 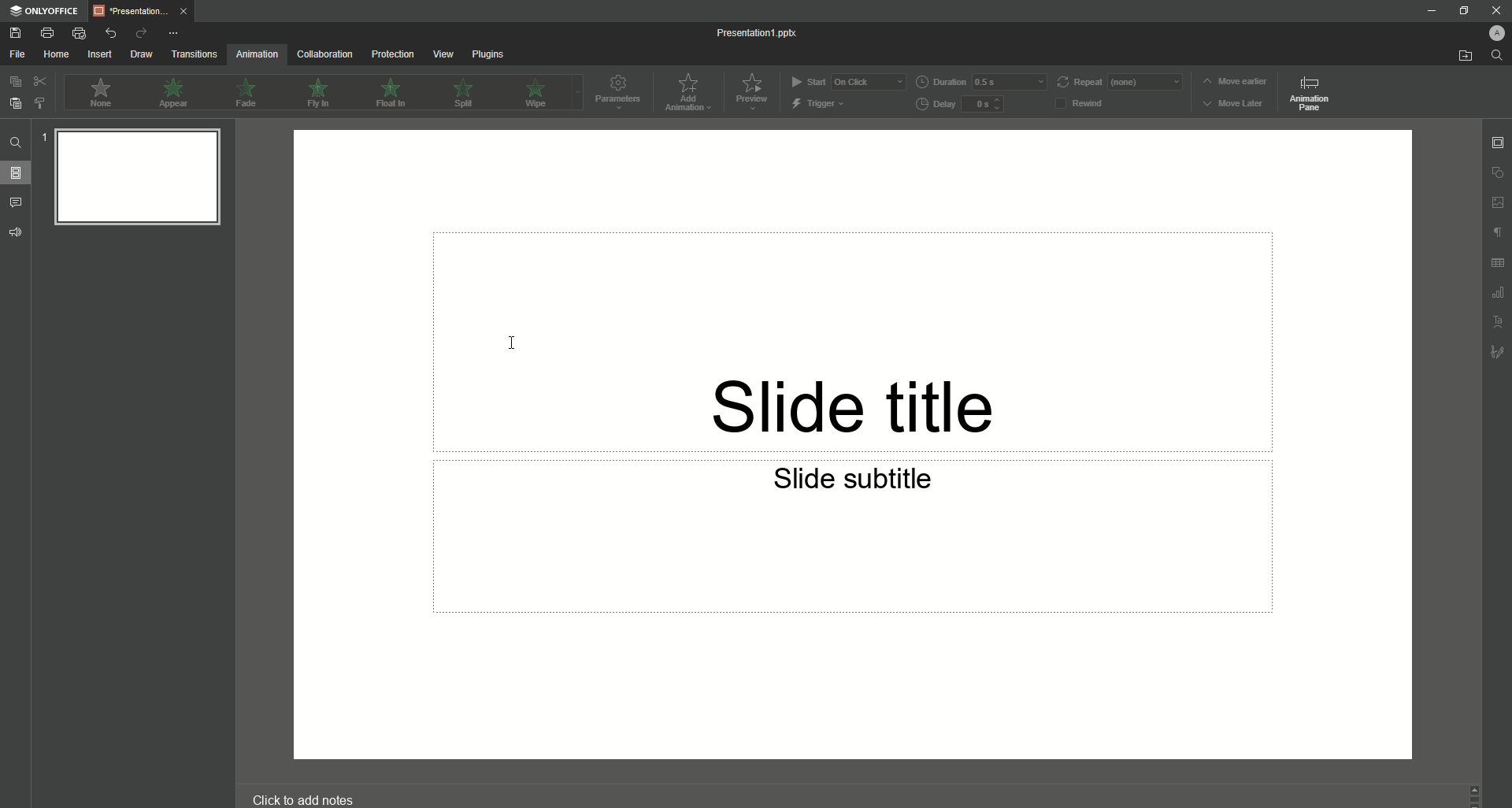 What do you see at coordinates (17, 173) in the screenshot?
I see `Slides` at bounding box center [17, 173].